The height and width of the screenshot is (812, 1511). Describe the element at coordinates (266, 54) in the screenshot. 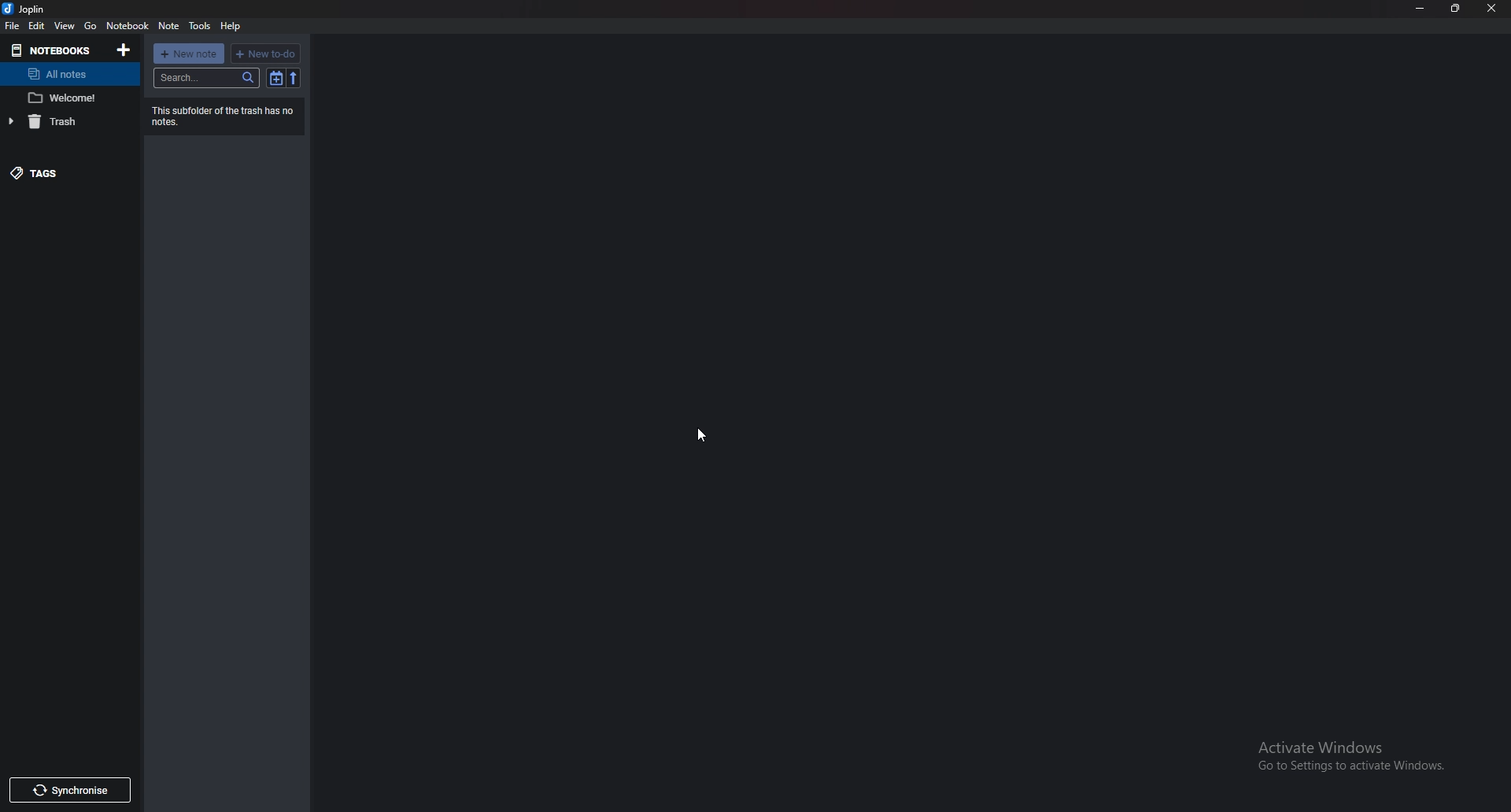

I see `new to do` at that location.